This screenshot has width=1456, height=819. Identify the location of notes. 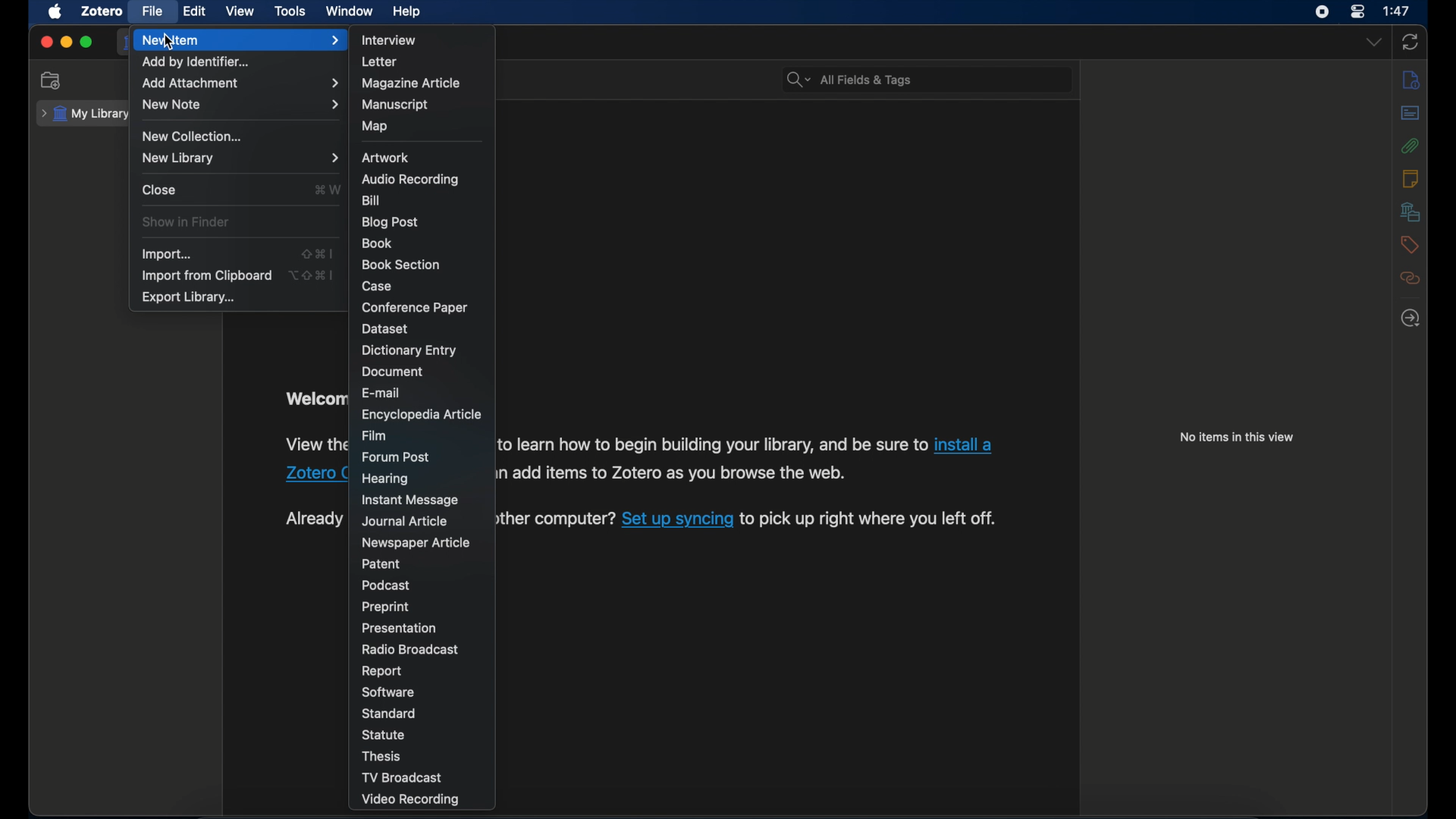
(1411, 179).